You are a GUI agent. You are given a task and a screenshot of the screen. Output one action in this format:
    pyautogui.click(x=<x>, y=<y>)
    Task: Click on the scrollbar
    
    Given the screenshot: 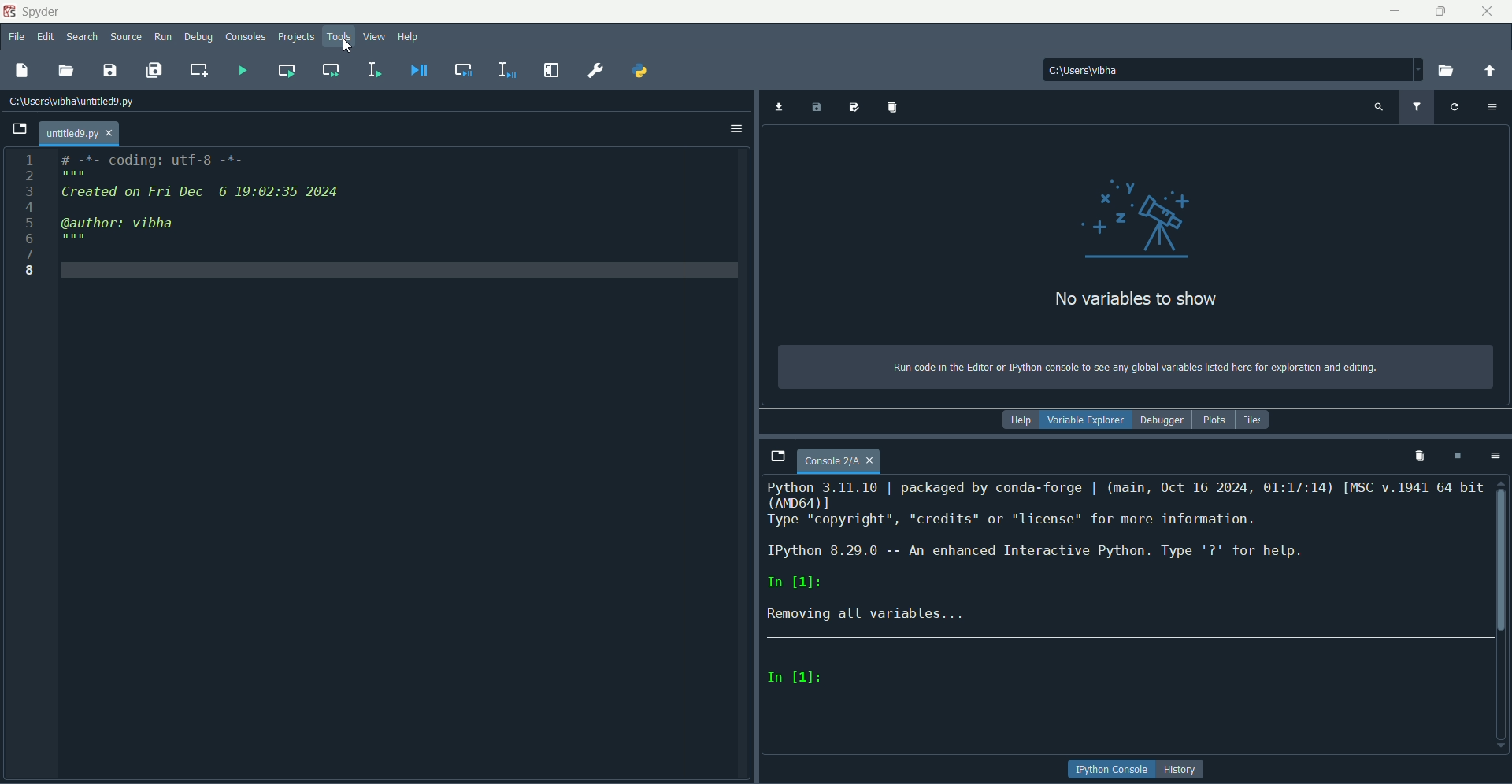 What is the action you would take?
    pyautogui.click(x=1502, y=556)
    